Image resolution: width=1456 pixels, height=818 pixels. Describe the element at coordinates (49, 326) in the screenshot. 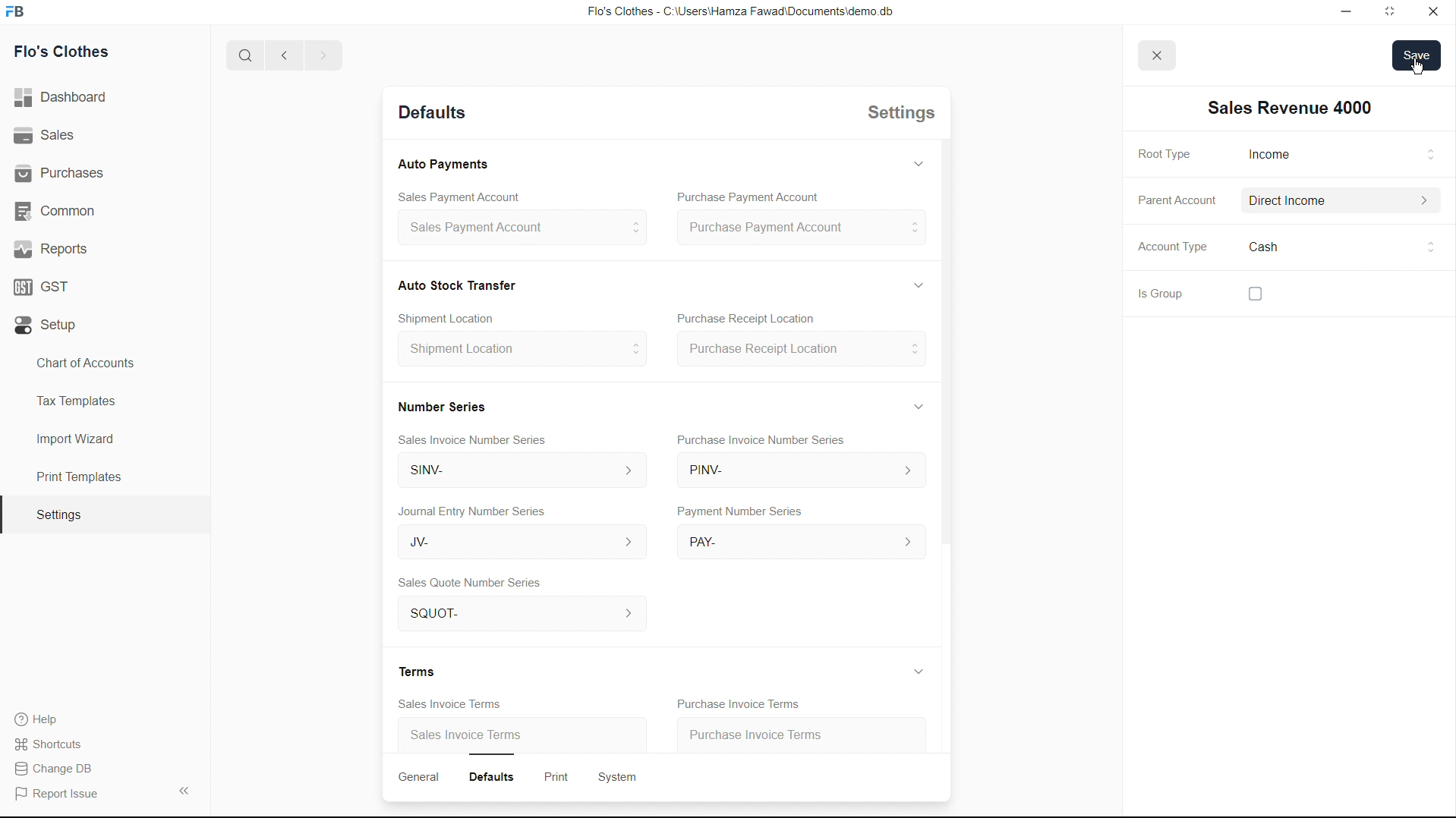

I see `Setup` at that location.